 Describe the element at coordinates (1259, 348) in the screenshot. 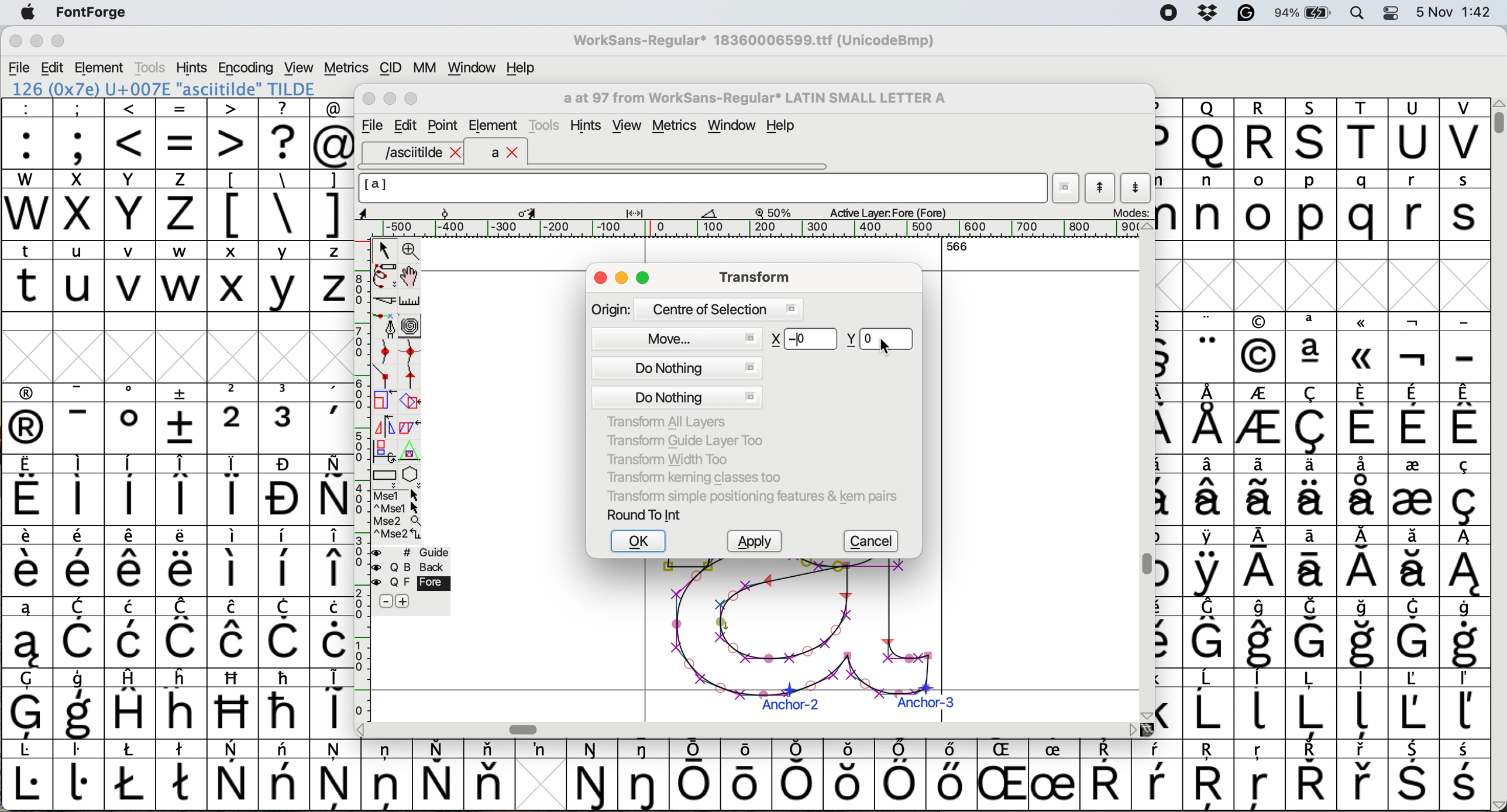

I see `` at that location.